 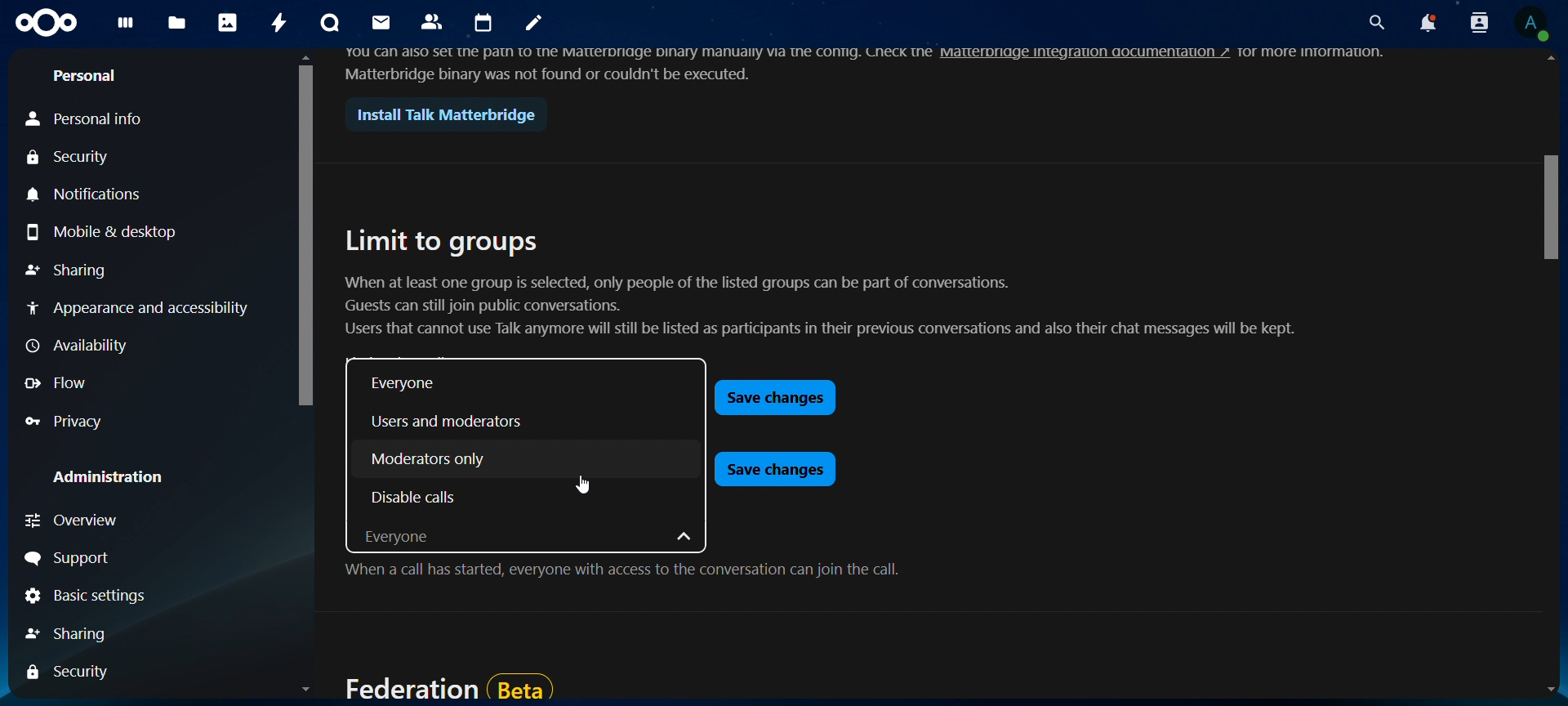 I want to click on mail, so click(x=382, y=25).